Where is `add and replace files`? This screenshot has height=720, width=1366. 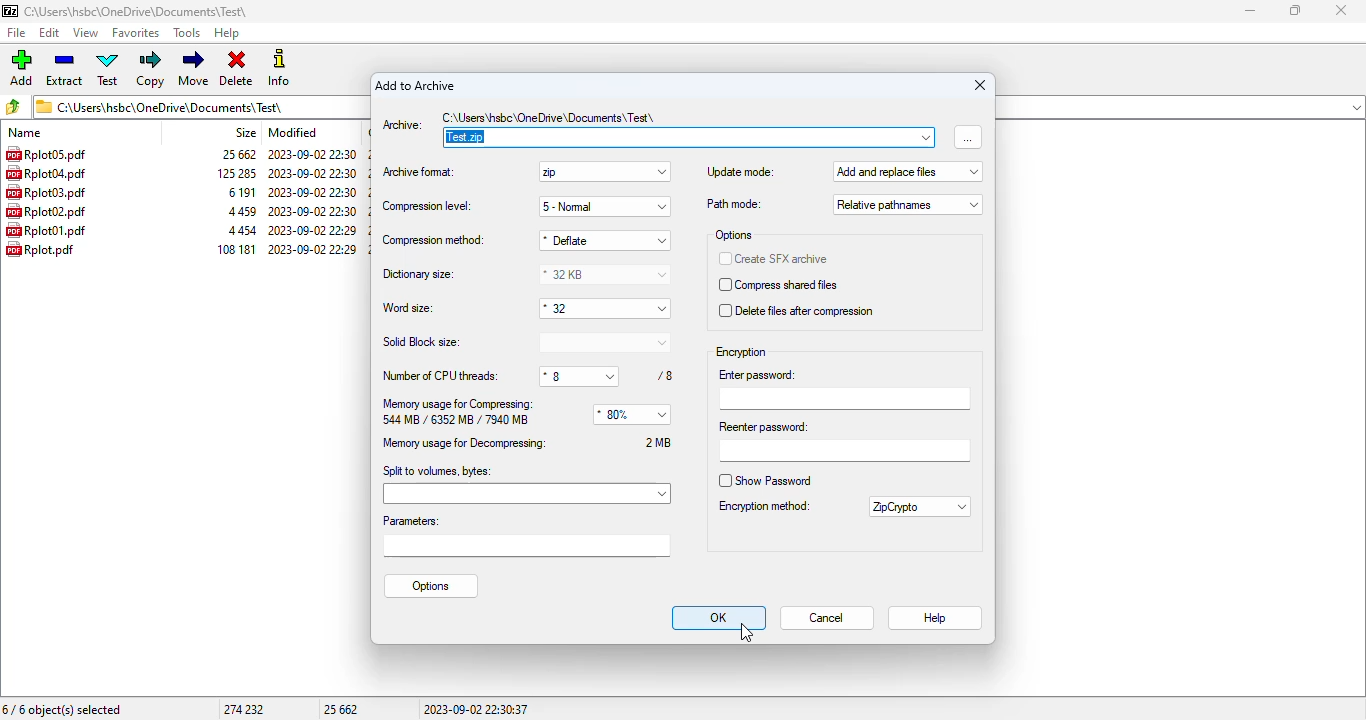 add and replace files is located at coordinates (905, 171).